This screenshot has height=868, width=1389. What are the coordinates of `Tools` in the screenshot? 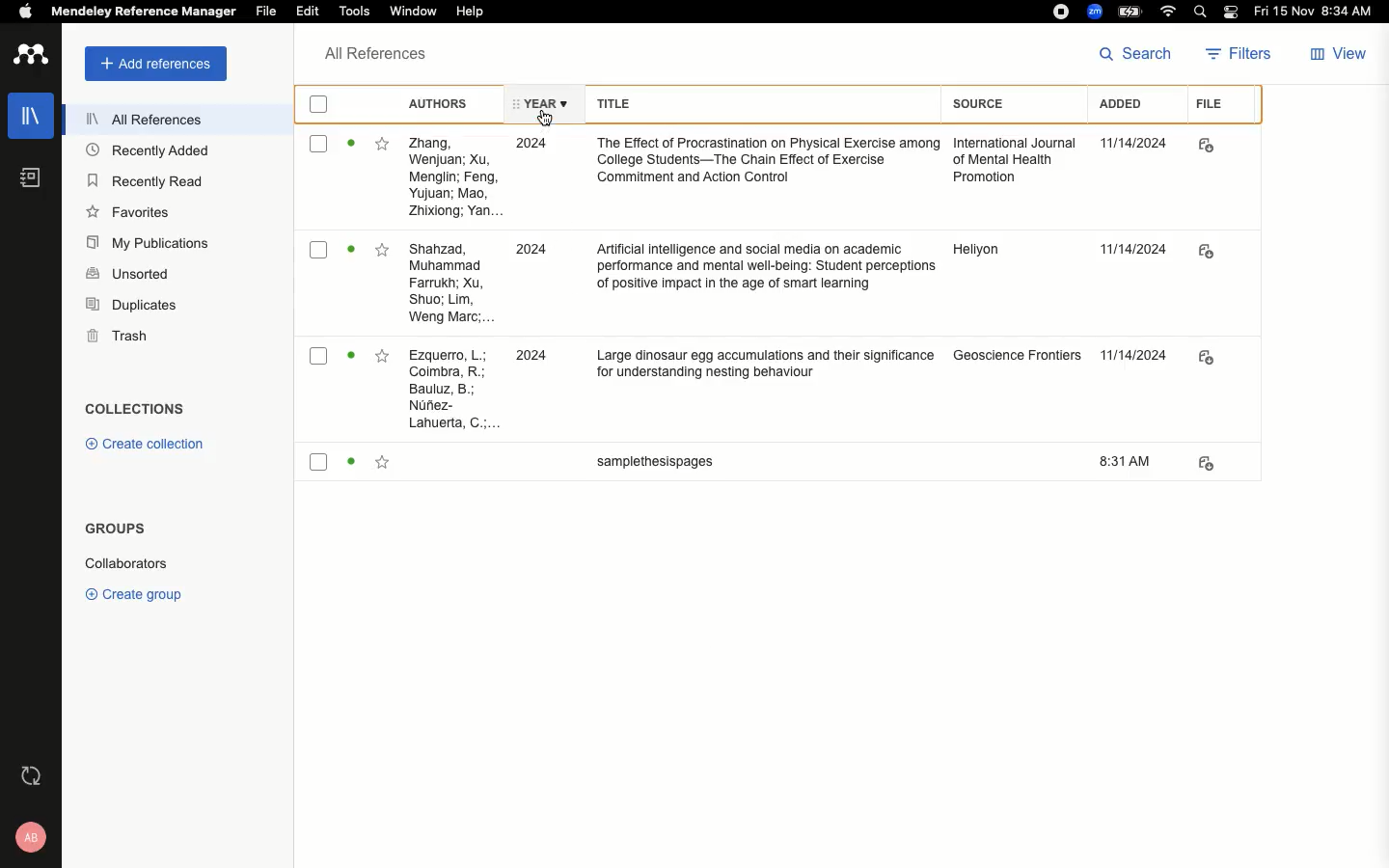 It's located at (355, 12).